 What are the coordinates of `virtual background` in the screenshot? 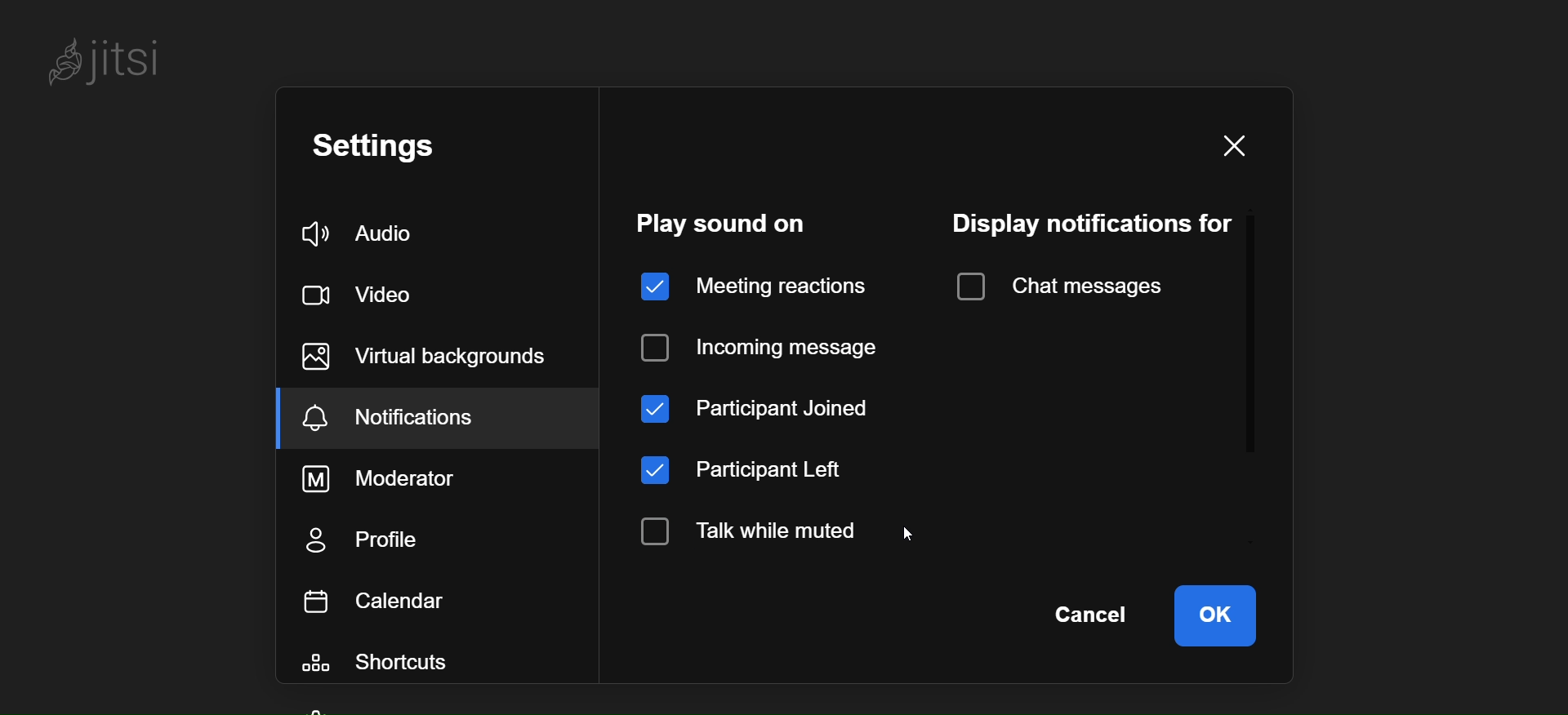 It's located at (426, 359).